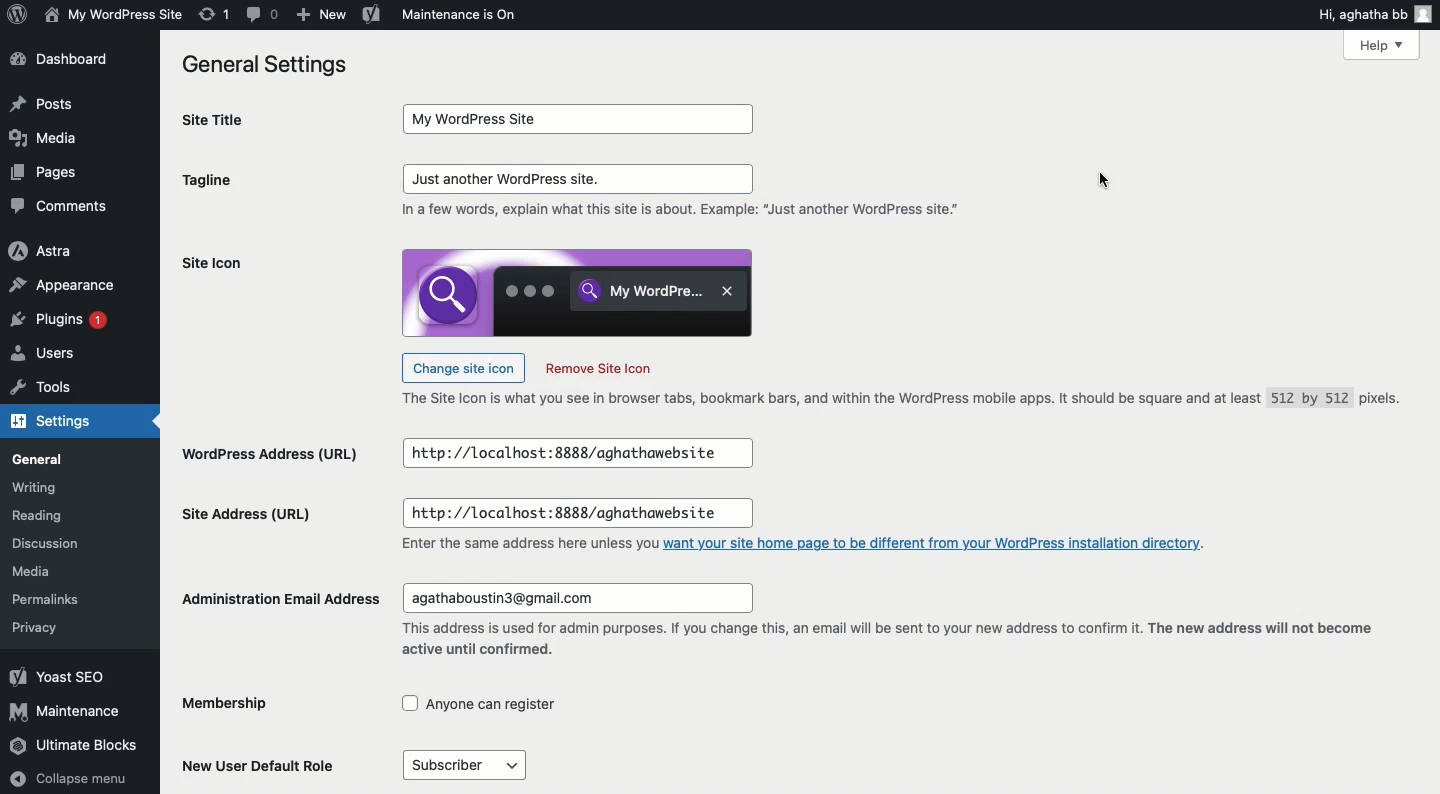 The width and height of the screenshot is (1440, 794). I want to click on Comment, so click(264, 15).